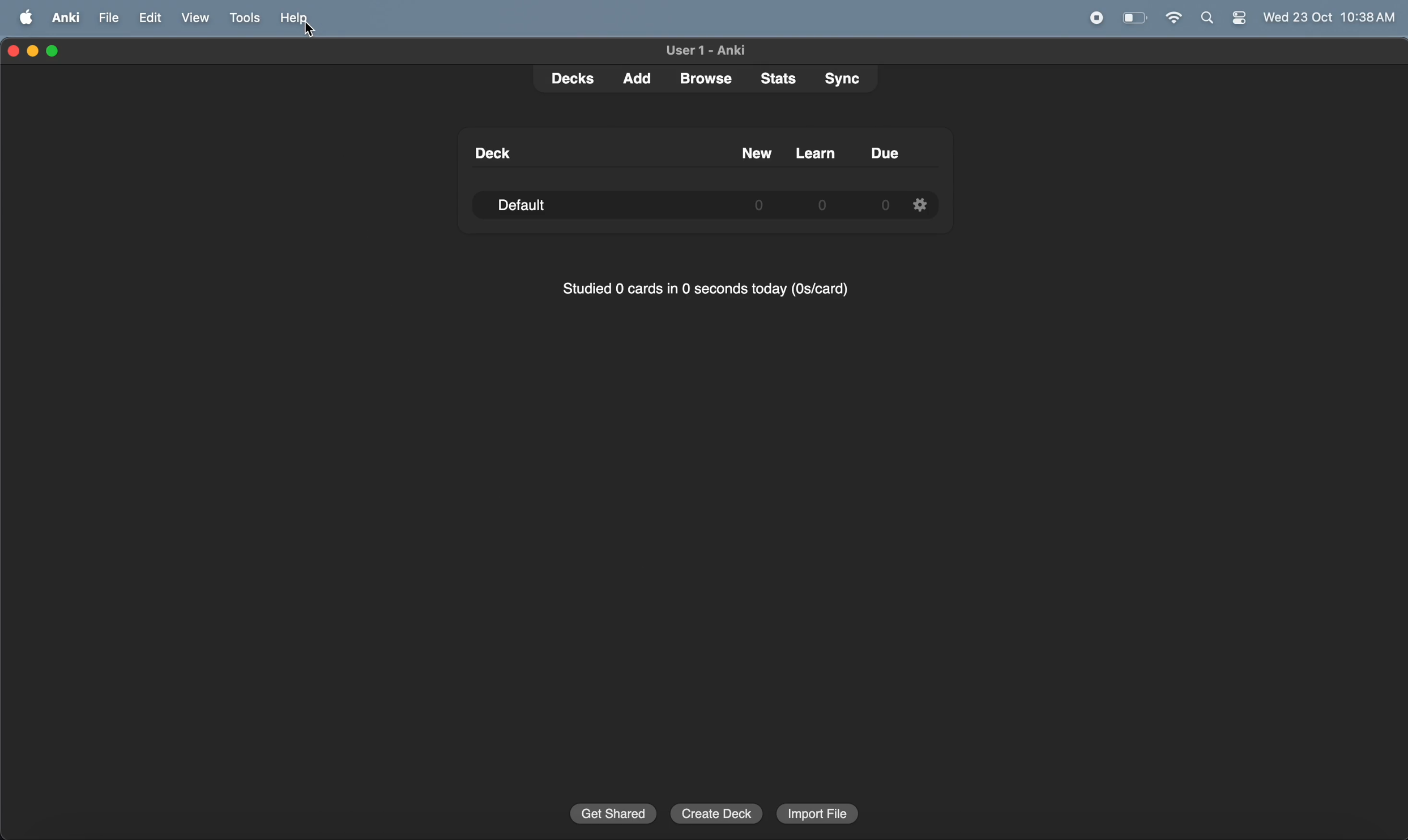  Describe the element at coordinates (1328, 18) in the screenshot. I see `Wed 23 Oct 10:38 AM` at that location.